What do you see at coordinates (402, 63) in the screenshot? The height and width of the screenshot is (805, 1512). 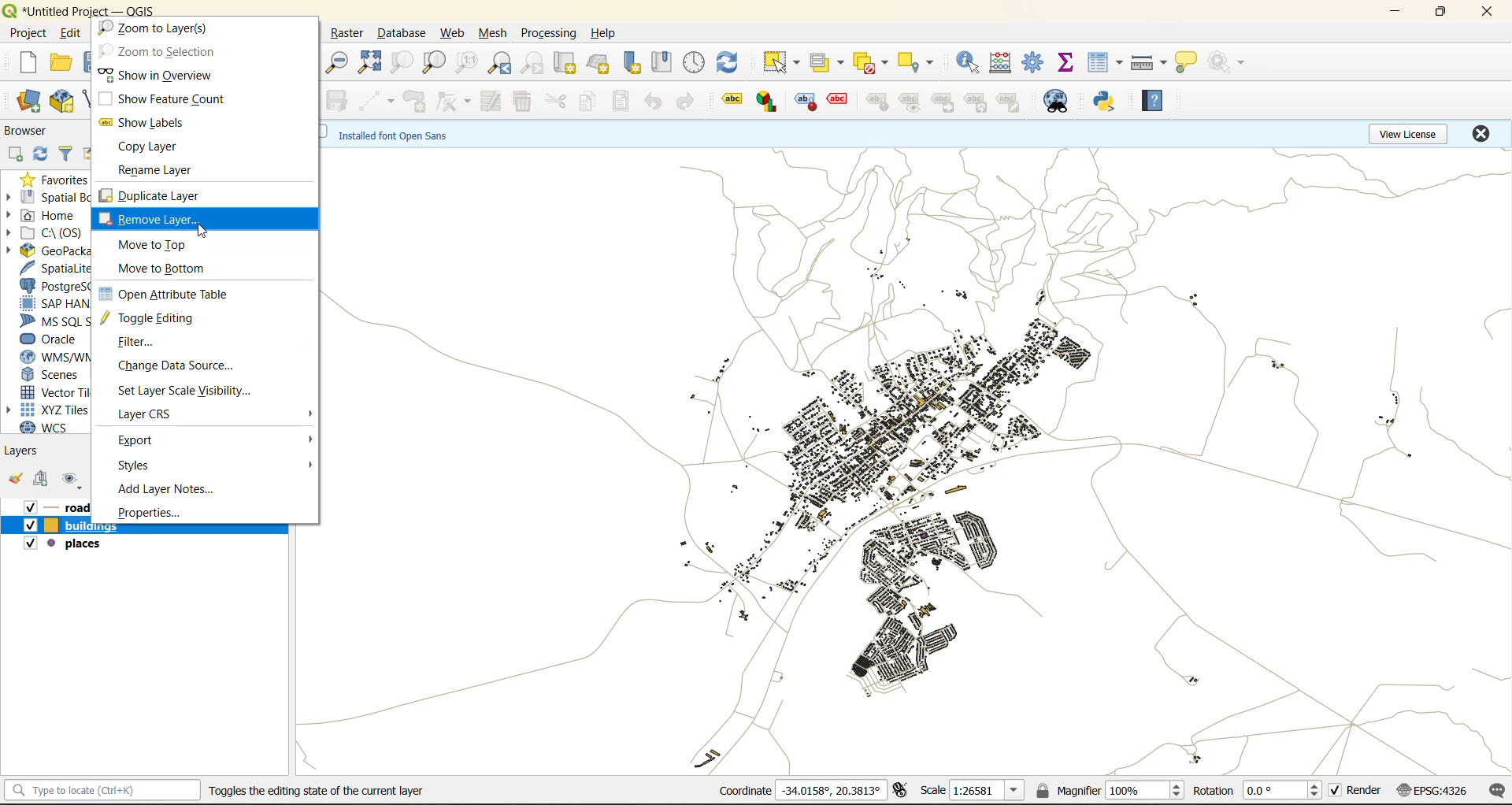 I see `zoom selection` at bounding box center [402, 63].